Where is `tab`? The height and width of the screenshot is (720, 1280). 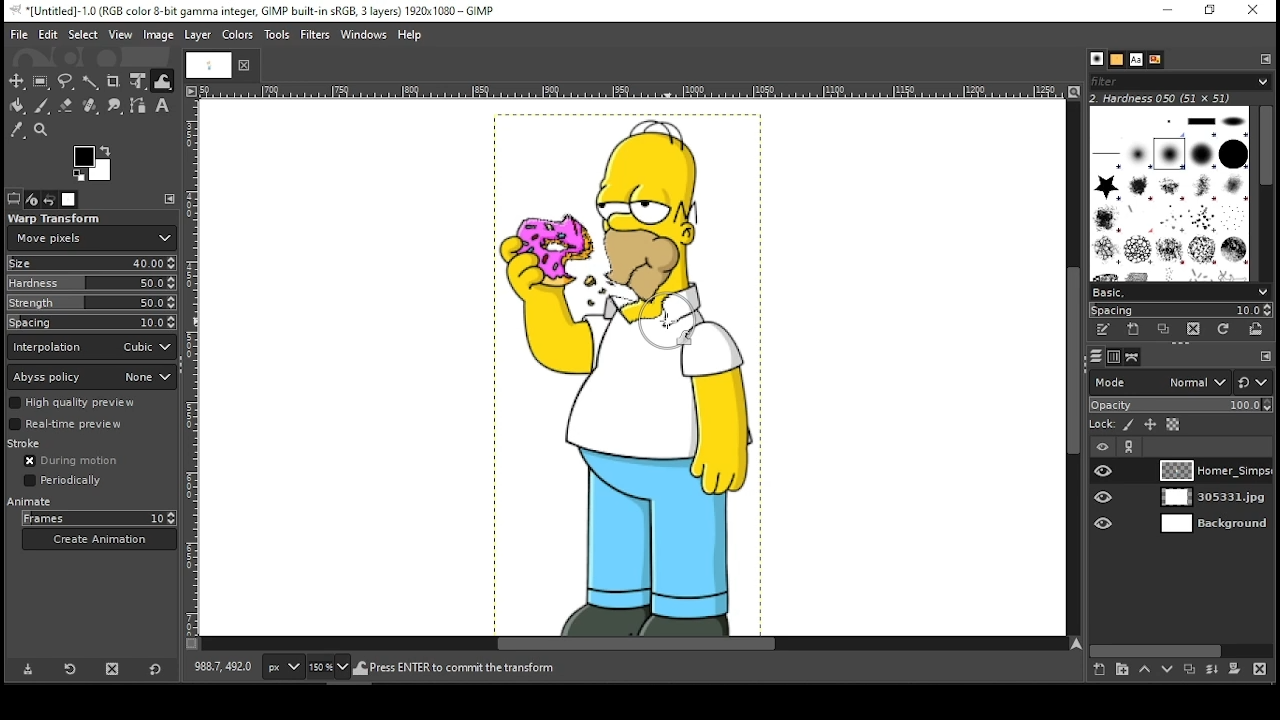
tab is located at coordinates (211, 67).